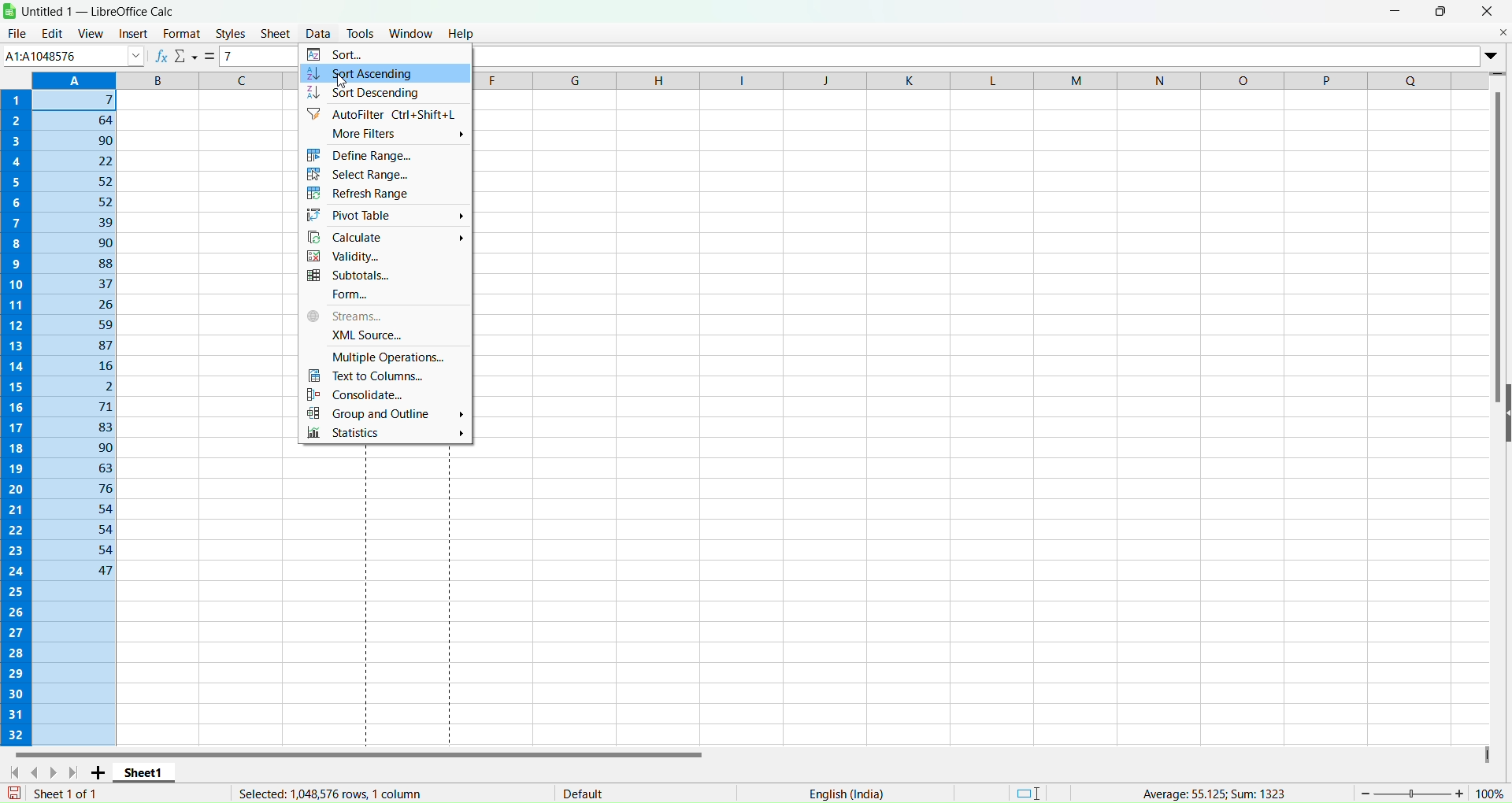  I want to click on Zoom Factor, so click(1433, 791).